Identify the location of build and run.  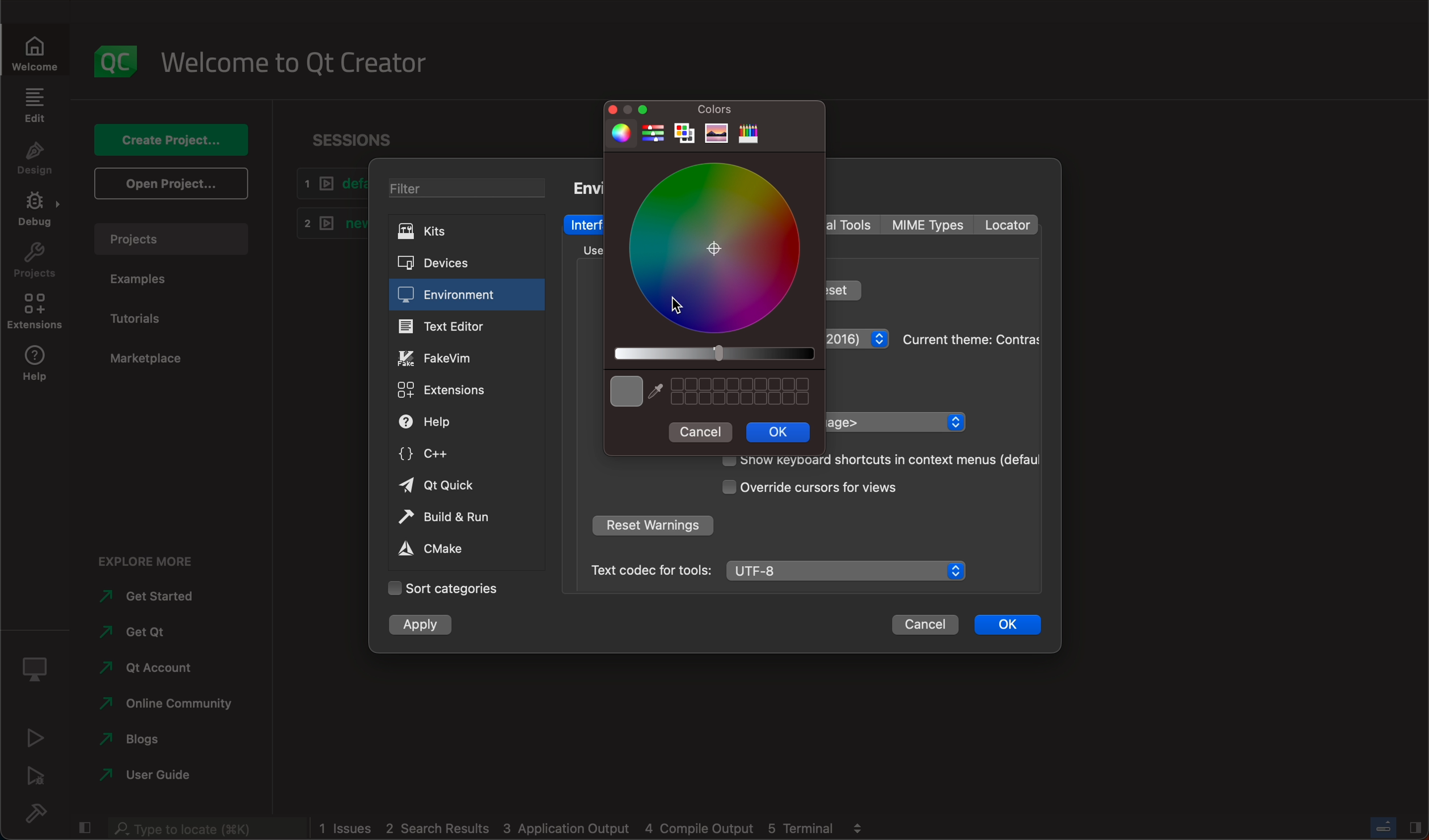
(460, 517).